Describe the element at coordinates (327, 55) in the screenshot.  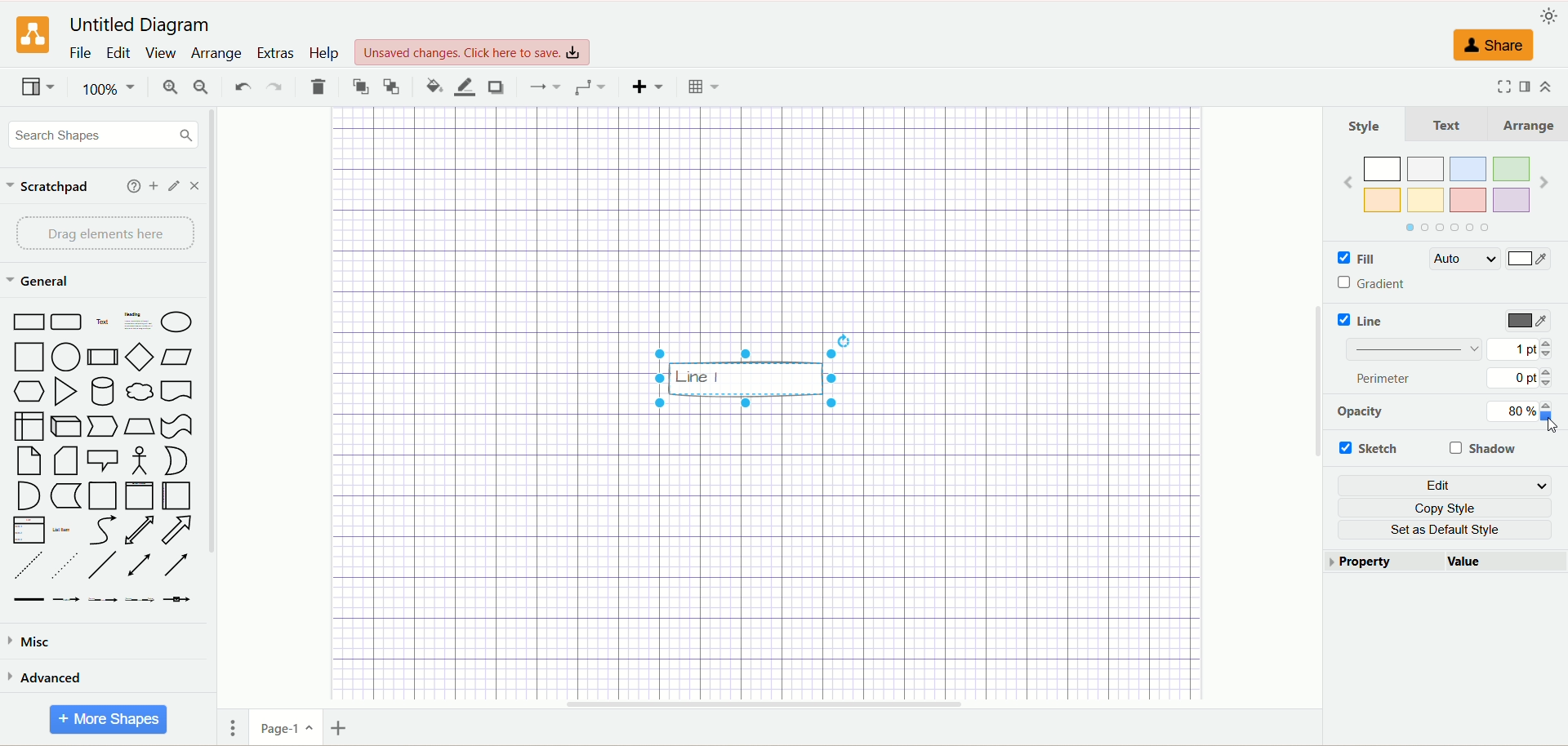
I see `help` at that location.